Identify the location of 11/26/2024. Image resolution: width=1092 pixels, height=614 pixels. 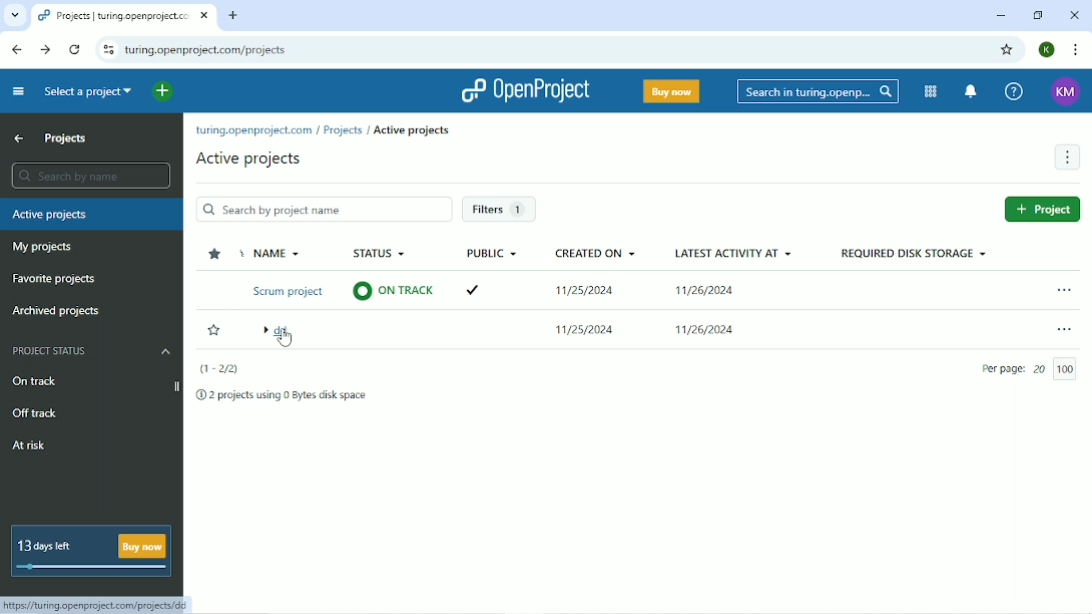
(707, 289).